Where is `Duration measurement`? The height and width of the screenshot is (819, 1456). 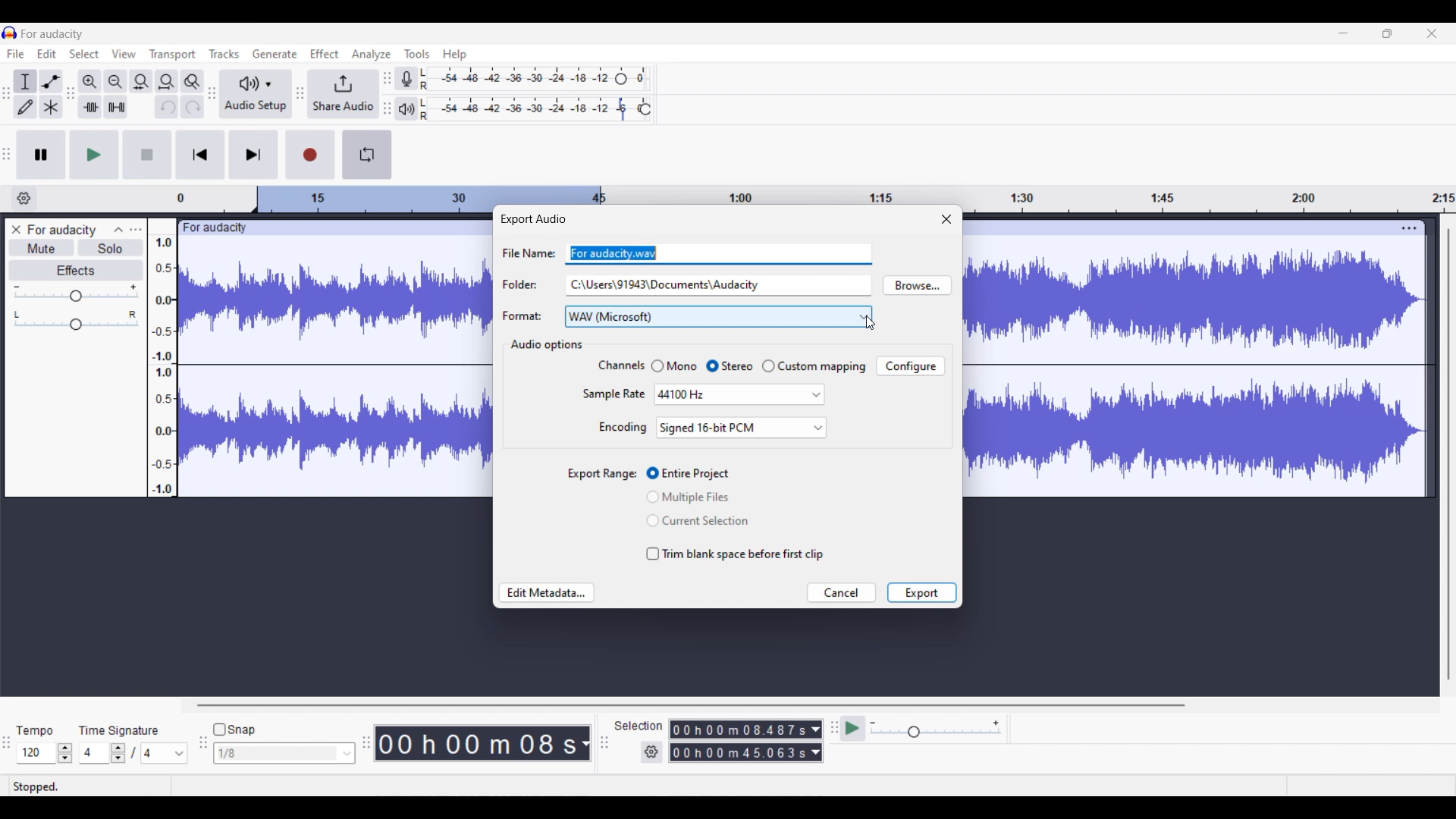 Duration measurement is located at coordinates (816, 730).